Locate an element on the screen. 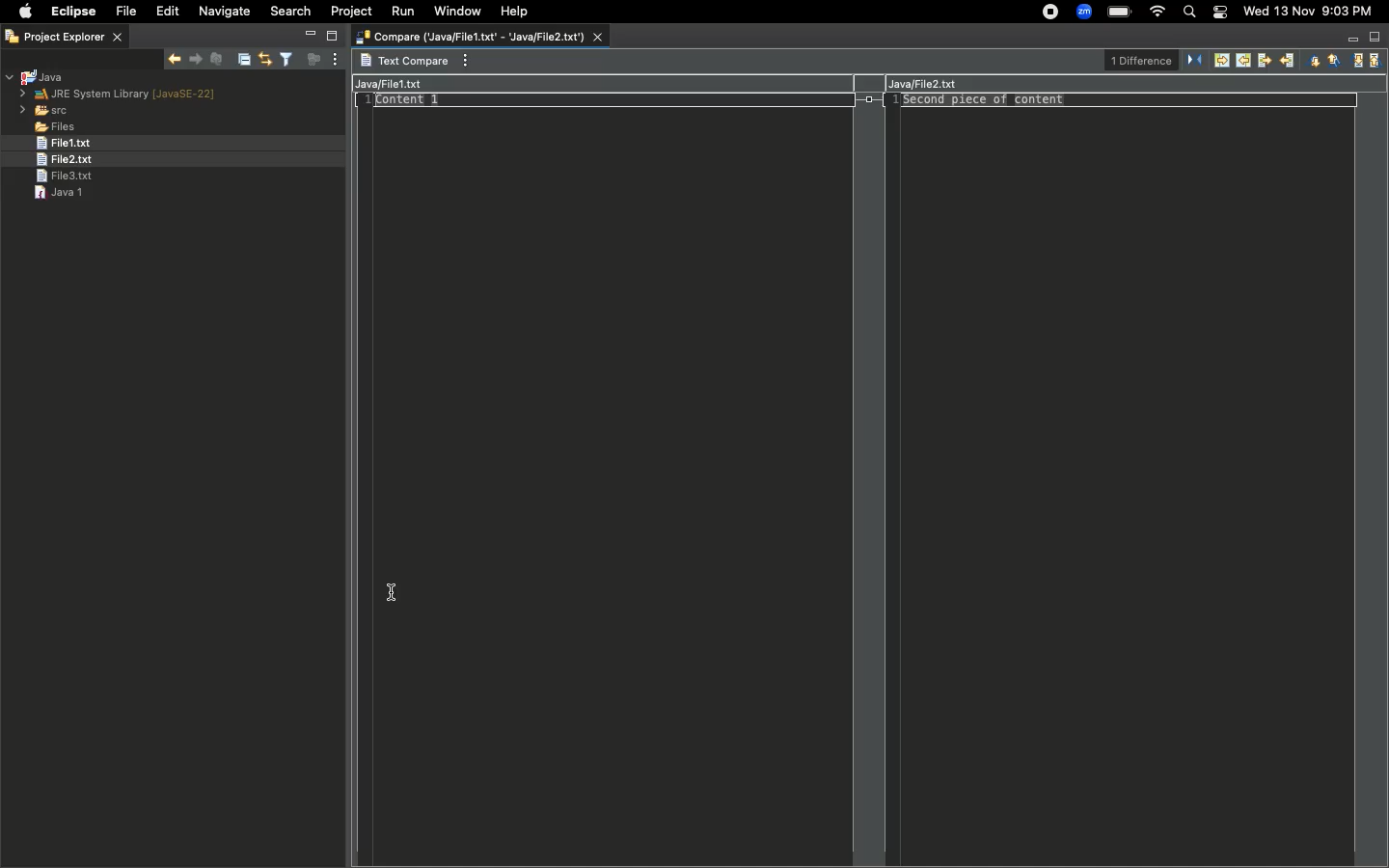 Image resolution: width=1389 pixels, height=868 pixels. Maximize is located at coordinates (1373, 38).